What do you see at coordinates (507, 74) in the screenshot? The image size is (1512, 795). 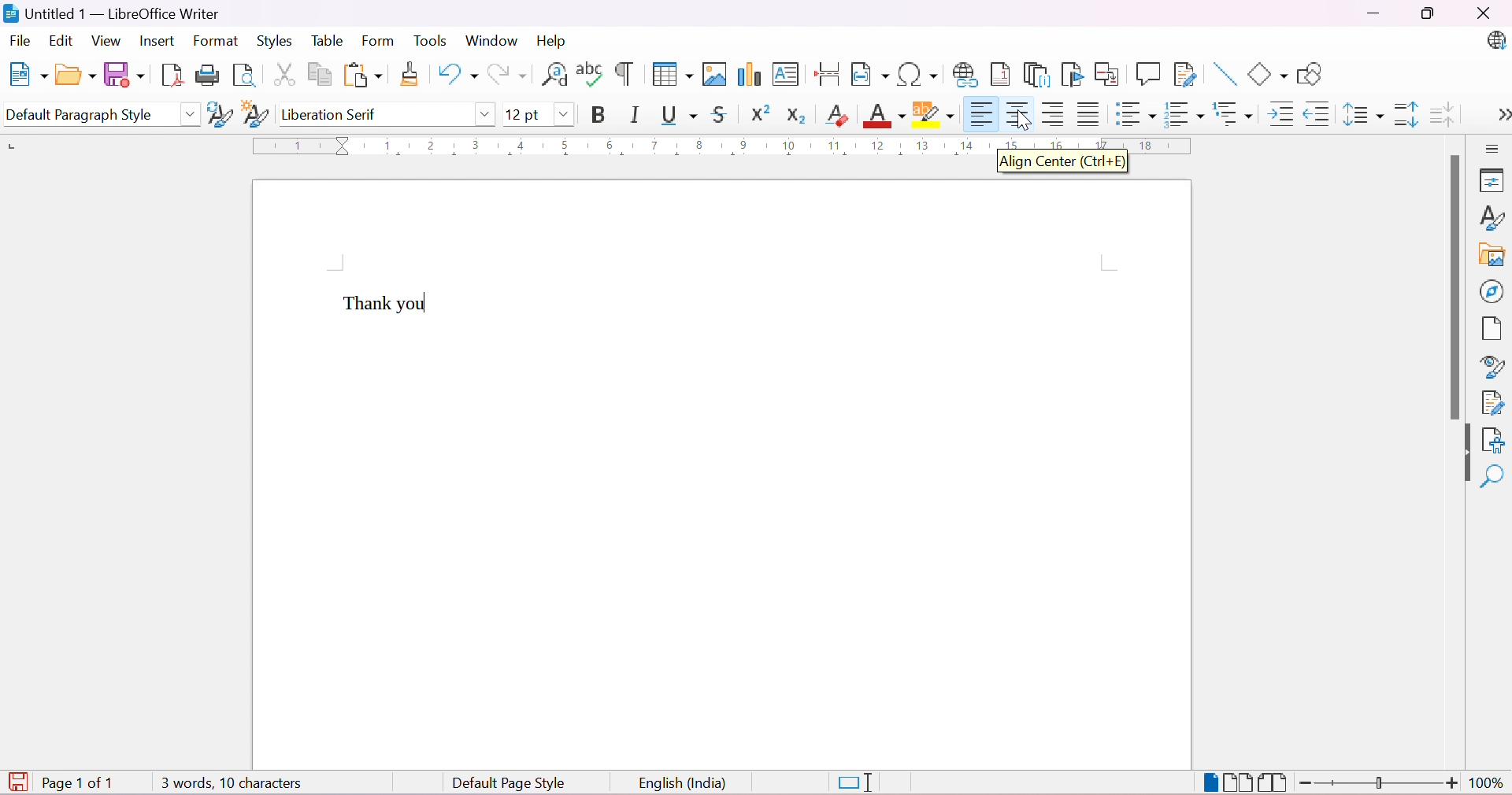 I see `Redo` at bounding box center [507, 74].